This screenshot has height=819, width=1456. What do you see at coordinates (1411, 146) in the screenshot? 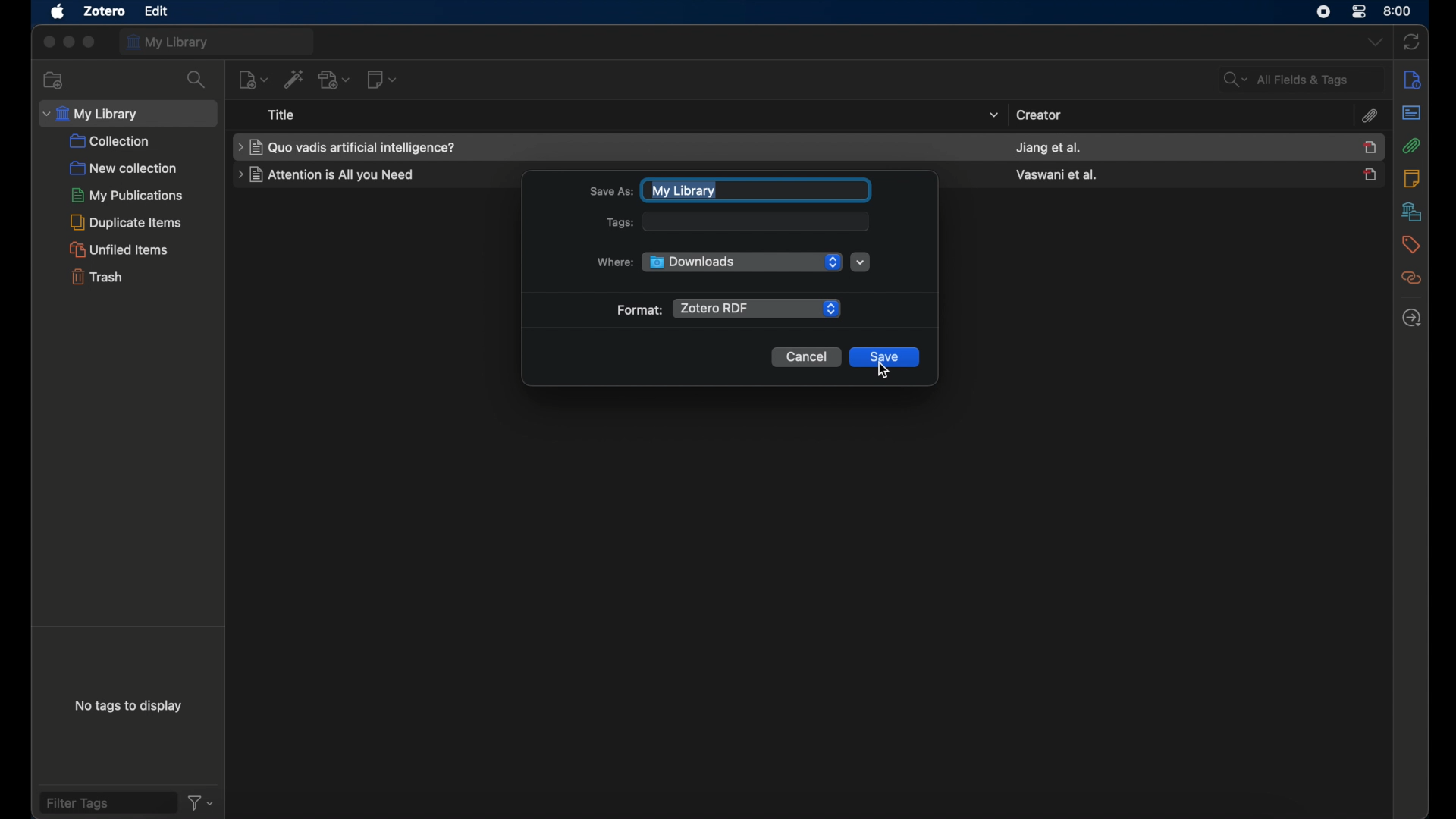
I see `attachments` at bounding box center [1411, 146].